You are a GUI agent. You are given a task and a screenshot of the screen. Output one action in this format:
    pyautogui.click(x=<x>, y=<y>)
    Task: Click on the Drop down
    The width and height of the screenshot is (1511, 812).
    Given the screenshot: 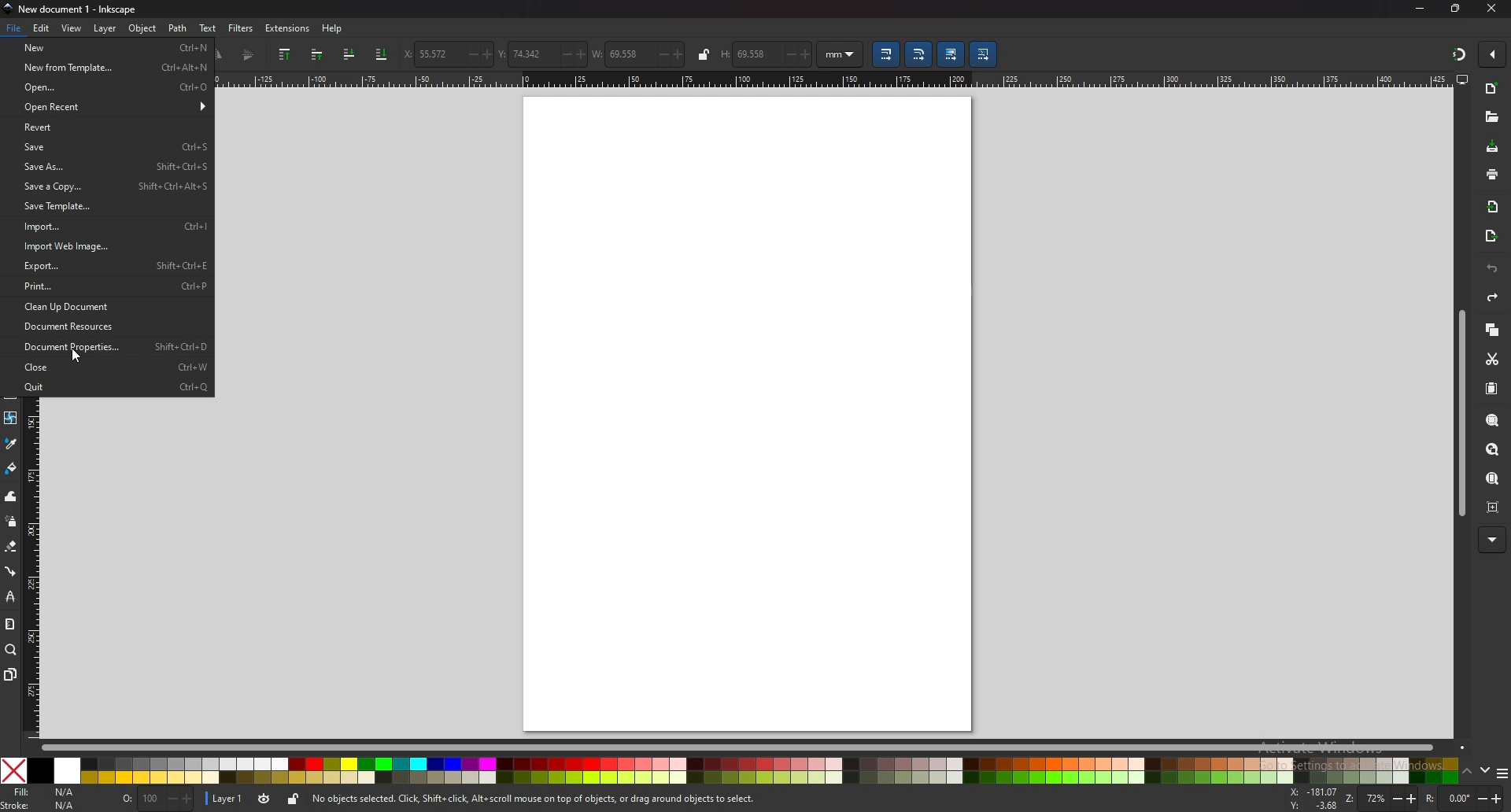 What is the action you would take?
    pyautogui.click(x=853, y=54)
    